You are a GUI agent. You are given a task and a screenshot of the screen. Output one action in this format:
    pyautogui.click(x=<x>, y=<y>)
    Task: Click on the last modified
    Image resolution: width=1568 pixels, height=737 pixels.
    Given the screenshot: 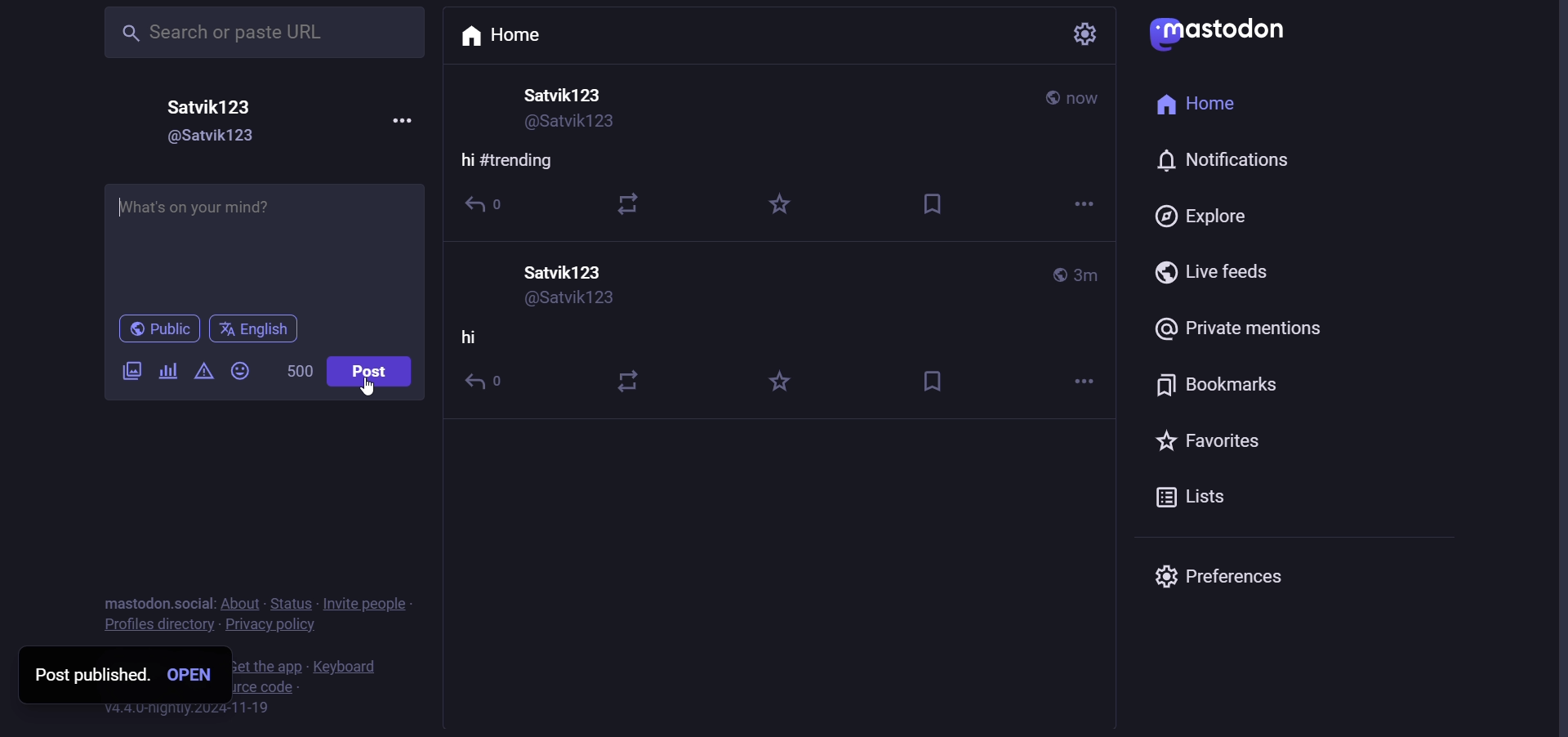 What is the action you would take?
    pyautogui.click(x=1085, y=99)
    